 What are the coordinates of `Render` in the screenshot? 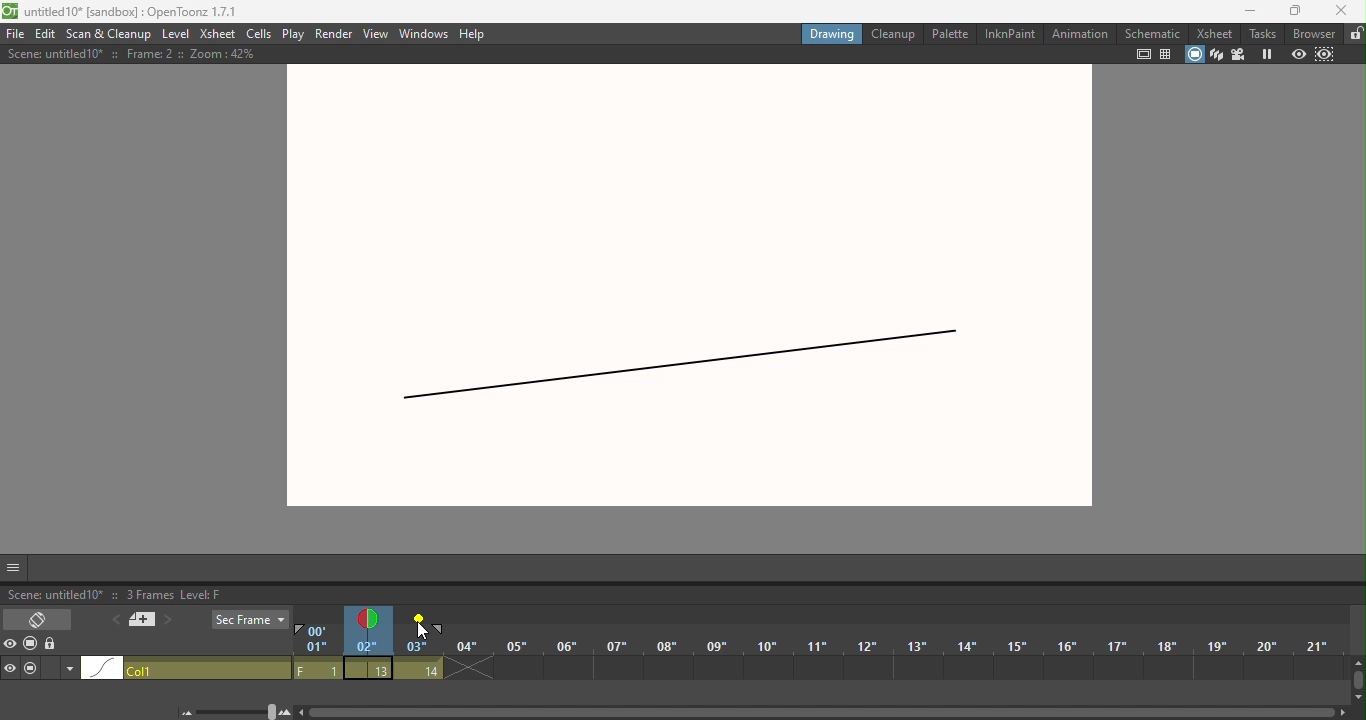 It's located at (335, 32).